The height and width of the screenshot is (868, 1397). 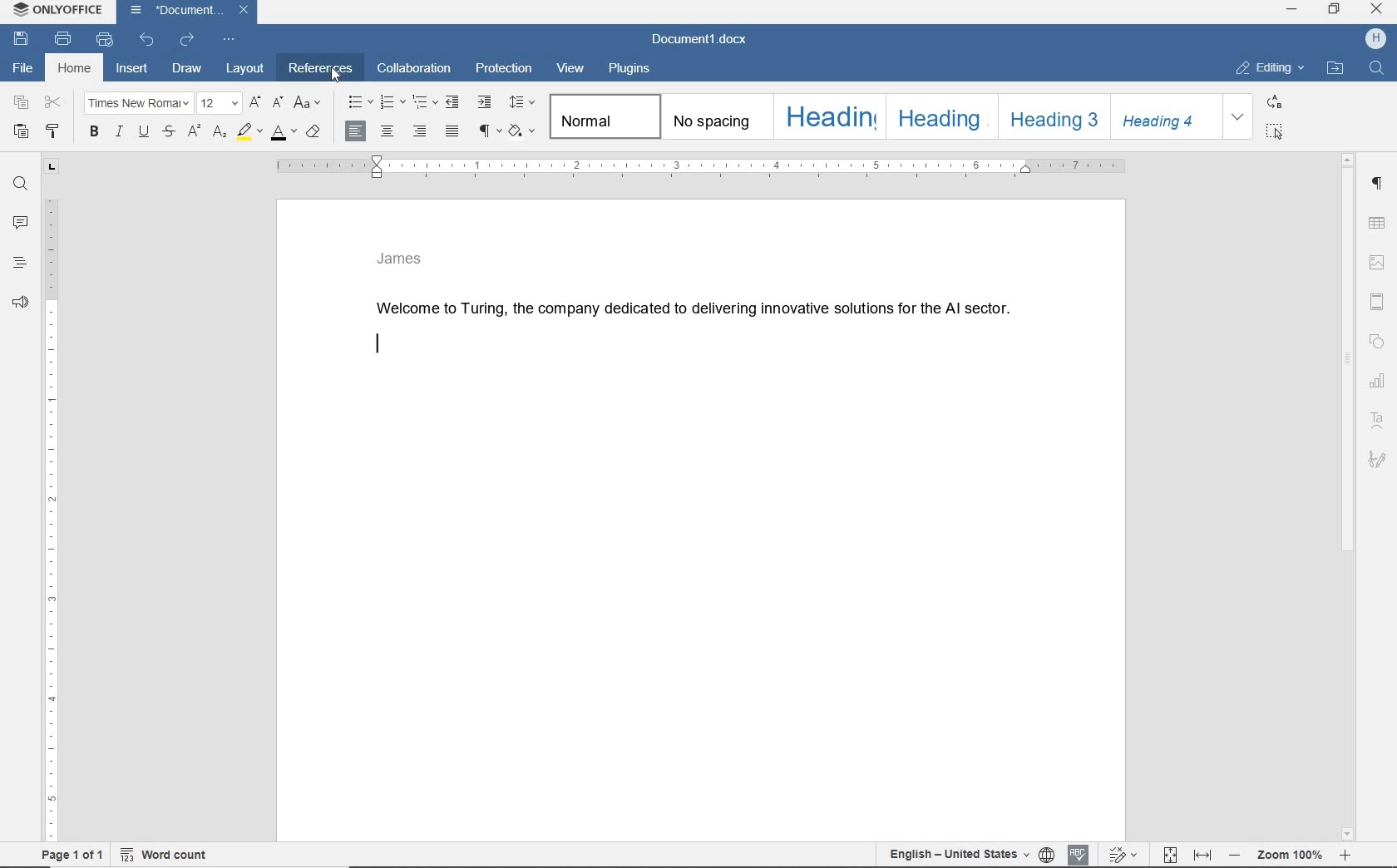 What do you see at coordinates (1295, 857) in the screenshot?
I see `zoom 100%` at bounding box center [1295, 857].